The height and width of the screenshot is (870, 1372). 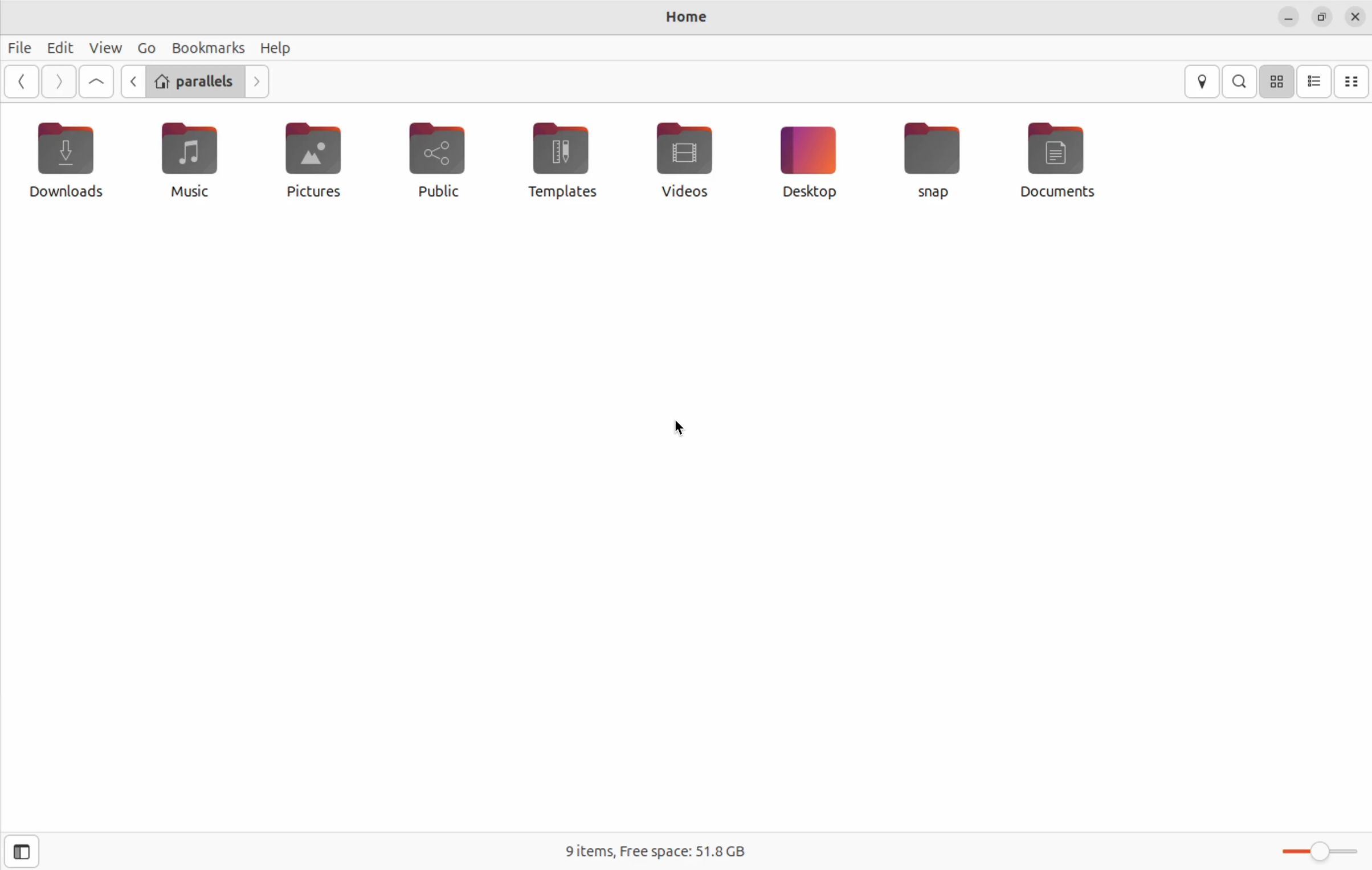 I want to click on Videos, so click(x=688, y=158).